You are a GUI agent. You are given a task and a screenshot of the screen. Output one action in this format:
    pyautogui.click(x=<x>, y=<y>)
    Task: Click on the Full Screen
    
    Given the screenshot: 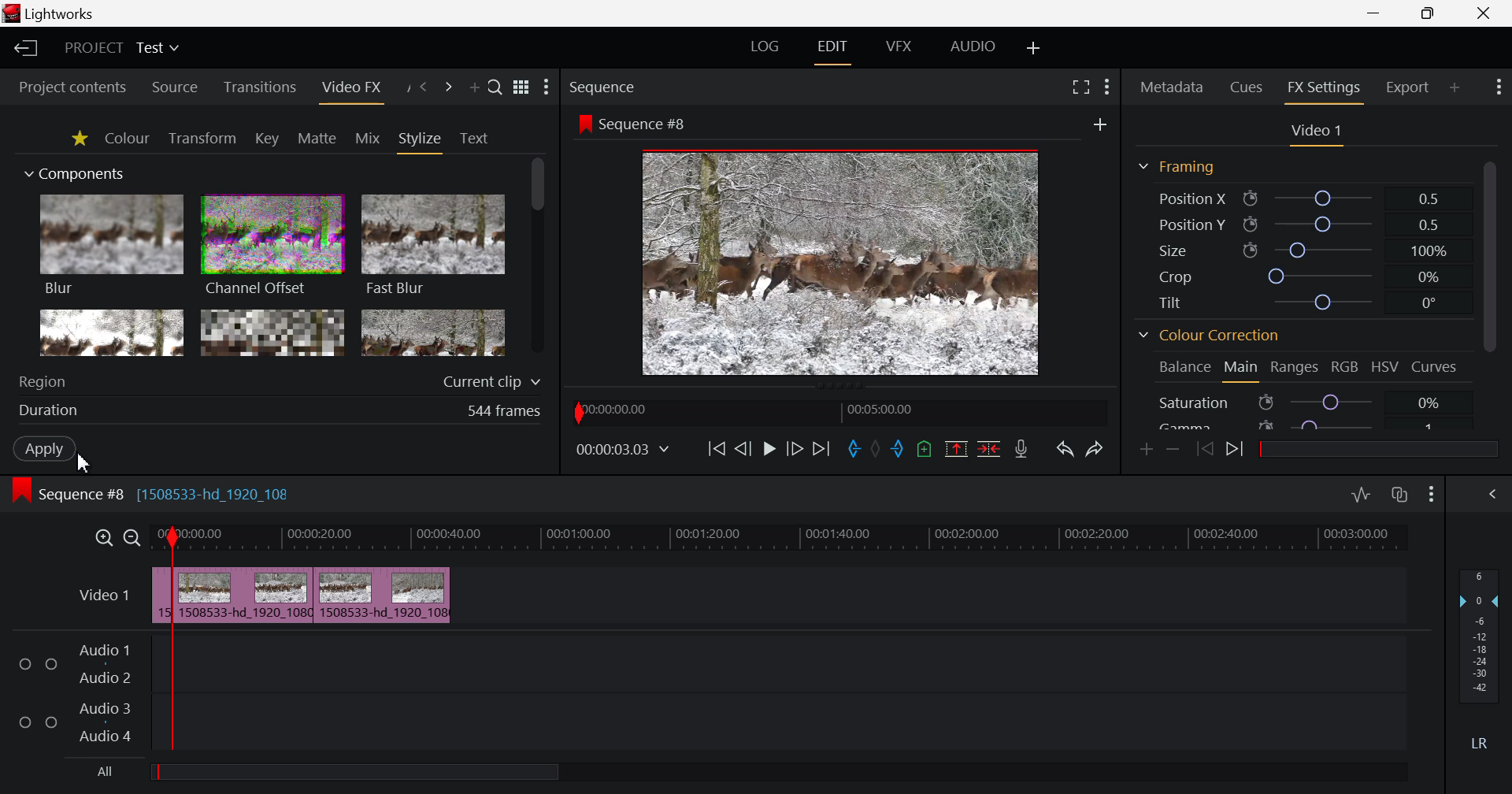 What is the action you would take?
    pyautogui.click(x=1077, y=90)
    